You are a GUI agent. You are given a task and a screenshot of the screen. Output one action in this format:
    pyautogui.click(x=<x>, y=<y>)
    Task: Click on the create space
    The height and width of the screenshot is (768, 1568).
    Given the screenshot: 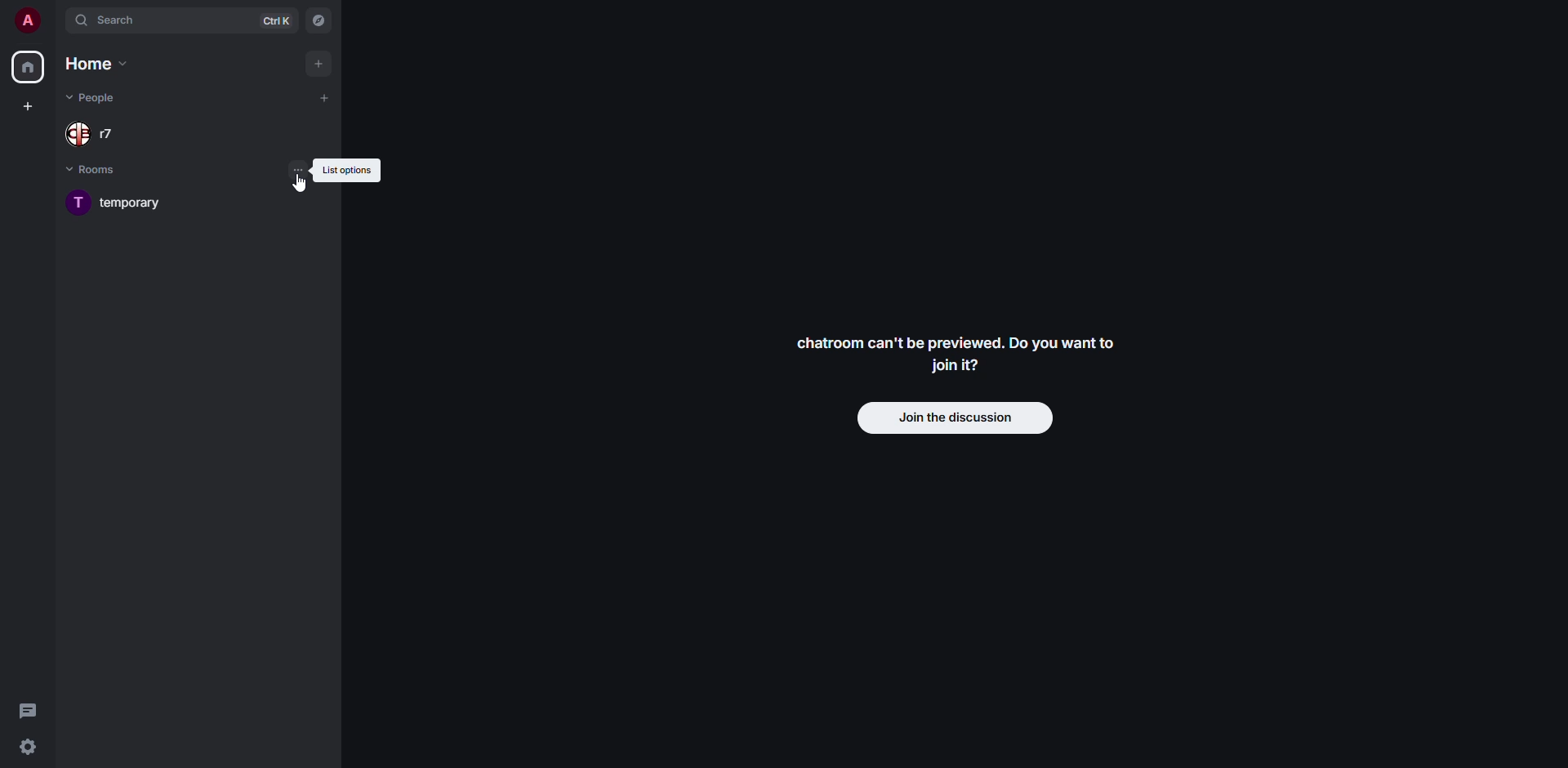 What is the action you would take?
    pyautogui.click(x=31, y=106)
    